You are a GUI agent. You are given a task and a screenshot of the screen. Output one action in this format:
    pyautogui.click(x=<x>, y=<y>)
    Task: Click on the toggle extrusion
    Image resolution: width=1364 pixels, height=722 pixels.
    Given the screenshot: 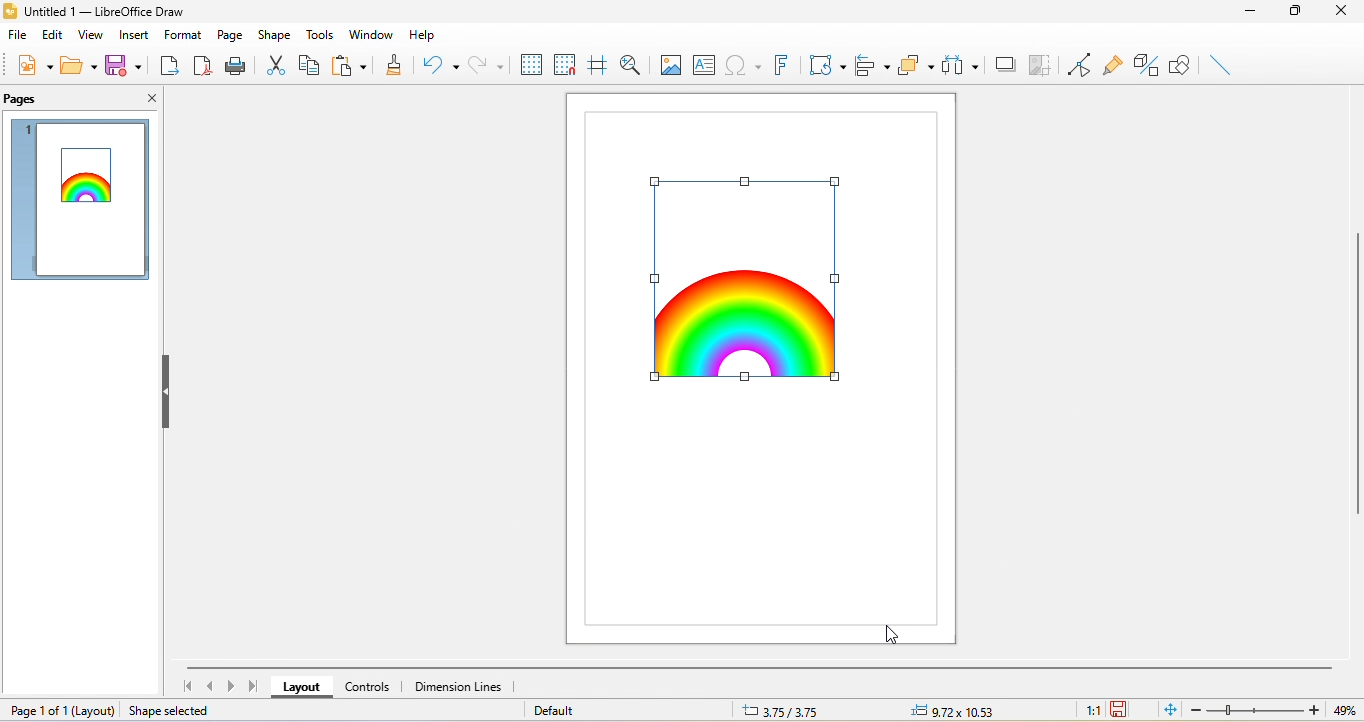 What is the action you would take?
    pyautogui.click(x=1146, y=65)
    